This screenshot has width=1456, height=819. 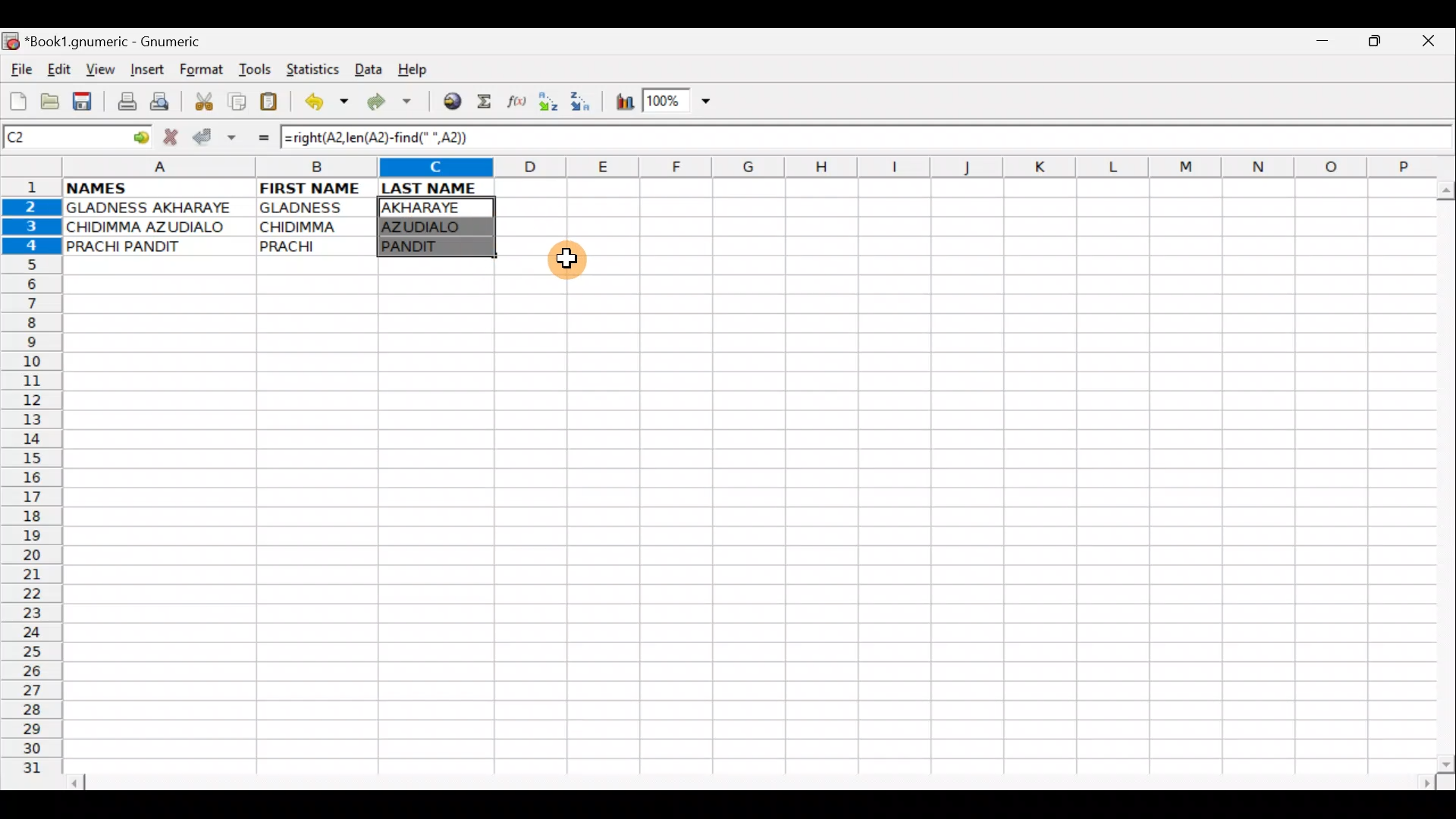 What do you see at coordinates (127, 42) in the screenshot?
I see `*Book1.gnumeric - Gnumeric` at bounding box center [127, 42].